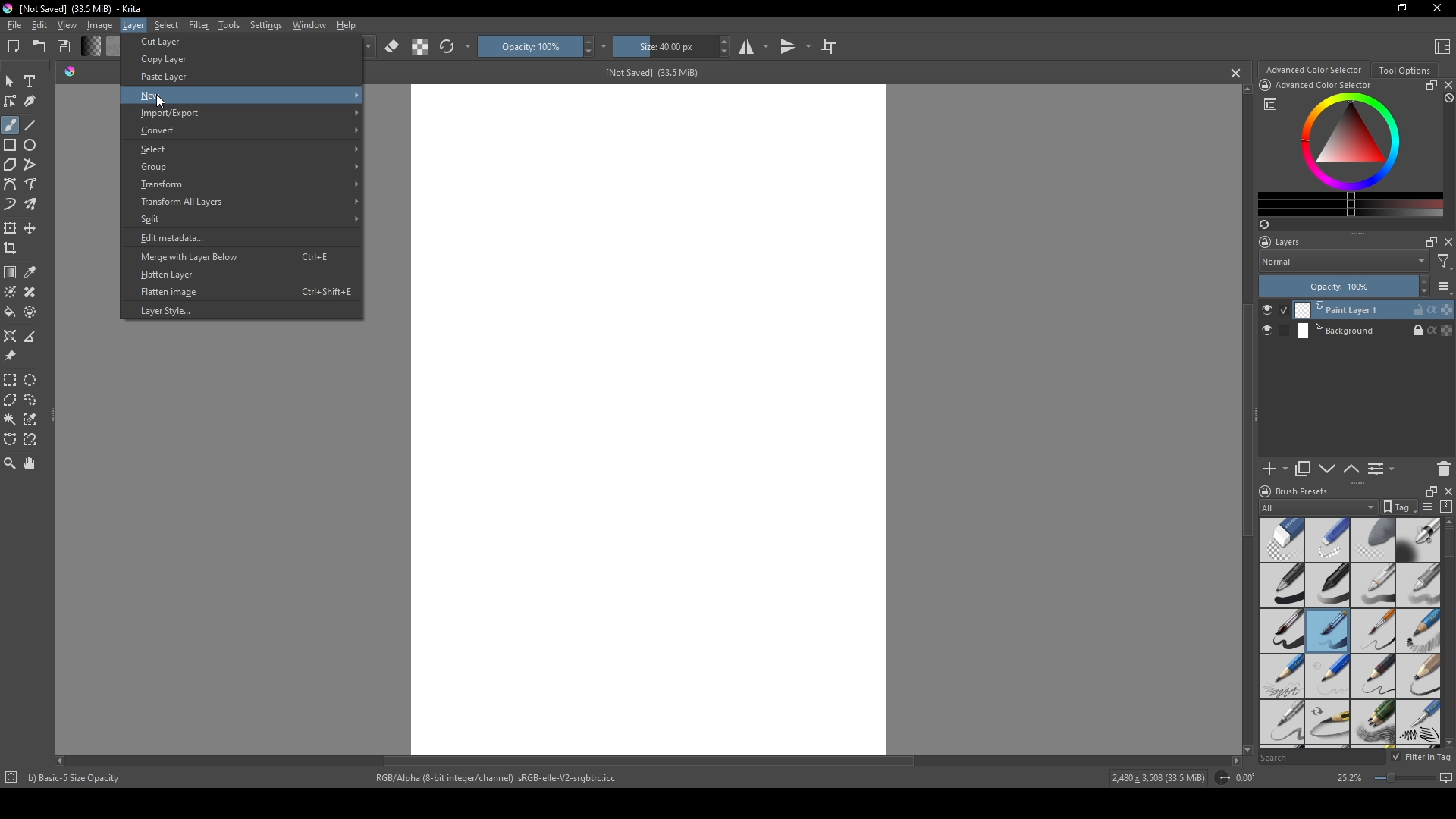 This screenshot has height=819, width=1456. I want to click on transform, so click(11, 227).